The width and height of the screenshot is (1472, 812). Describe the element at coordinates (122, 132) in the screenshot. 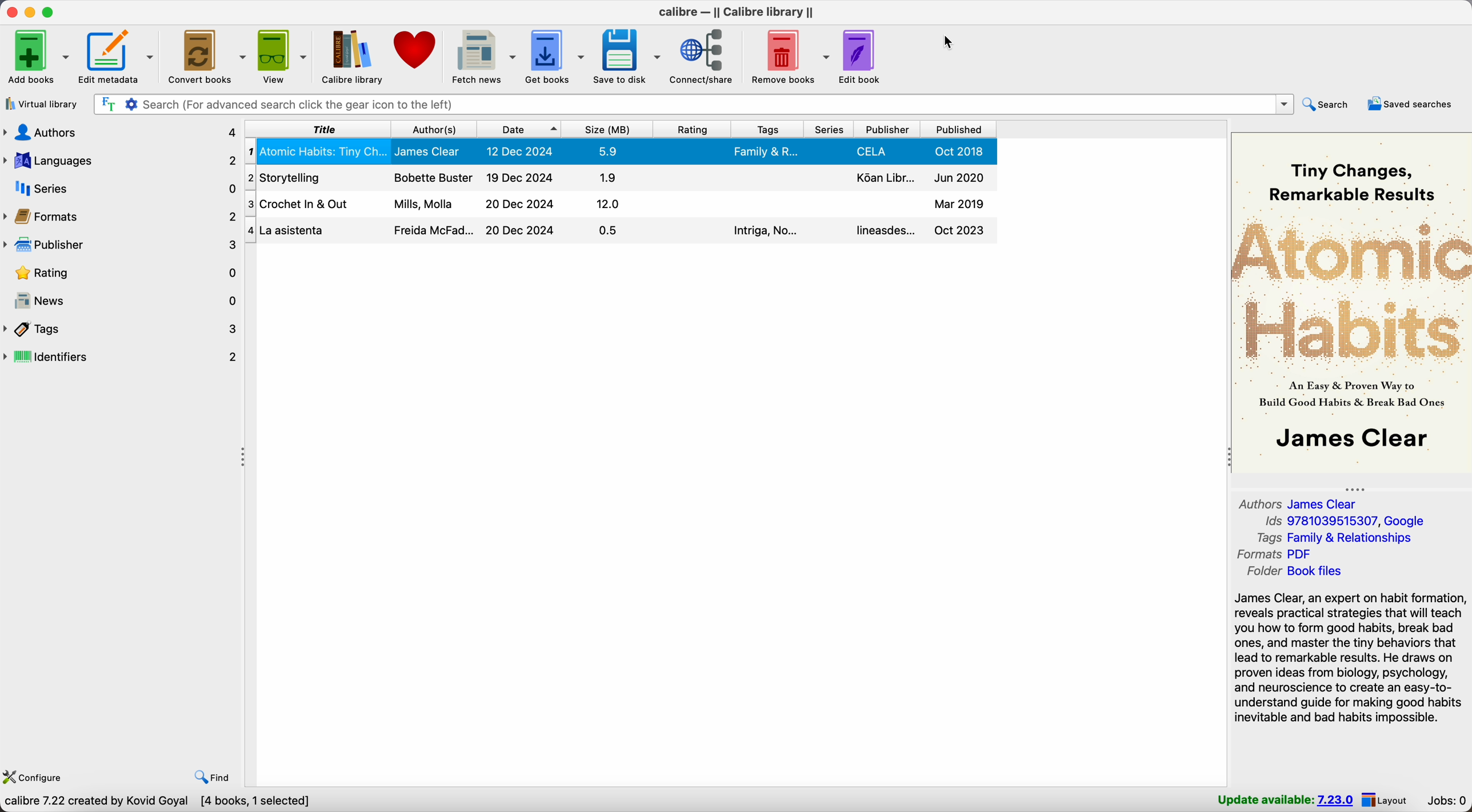

I see `authors` at that location.